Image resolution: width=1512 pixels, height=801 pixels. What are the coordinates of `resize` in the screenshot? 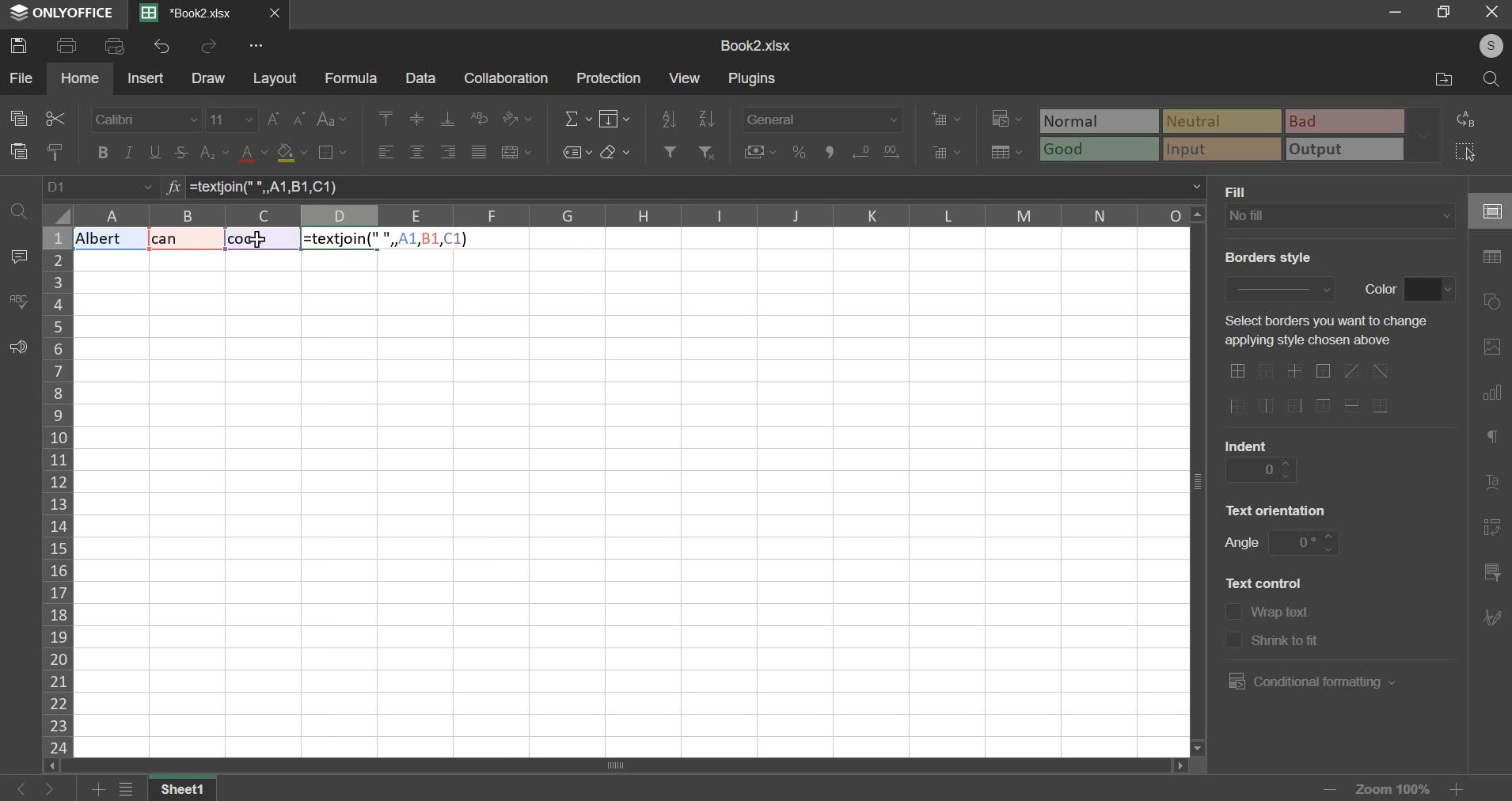 It's located at (1442, 13).